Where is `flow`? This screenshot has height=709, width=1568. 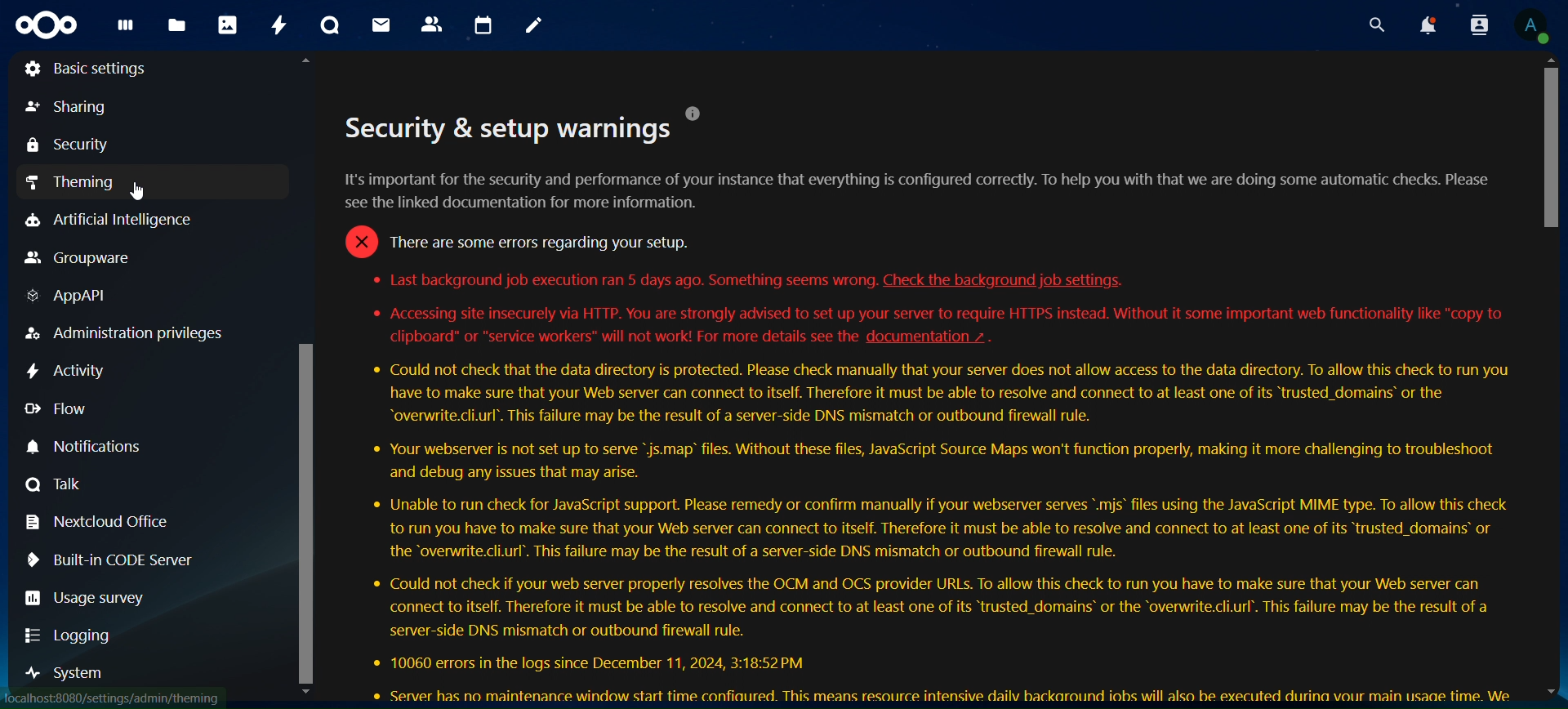 flow is located at coordinates (60, 406).